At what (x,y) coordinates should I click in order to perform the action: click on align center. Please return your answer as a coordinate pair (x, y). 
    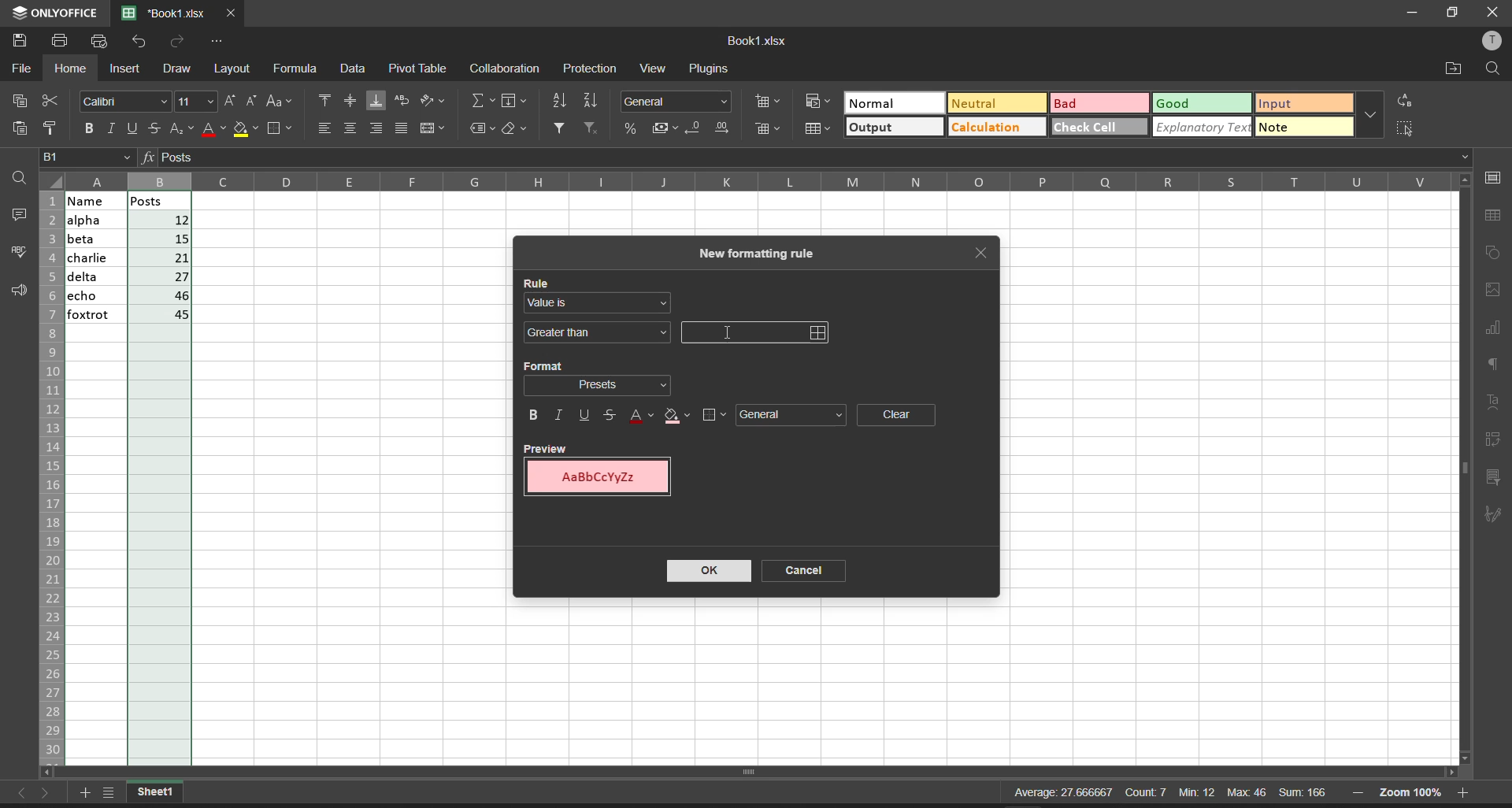
    Looking at the image, I should click on (350, 129).